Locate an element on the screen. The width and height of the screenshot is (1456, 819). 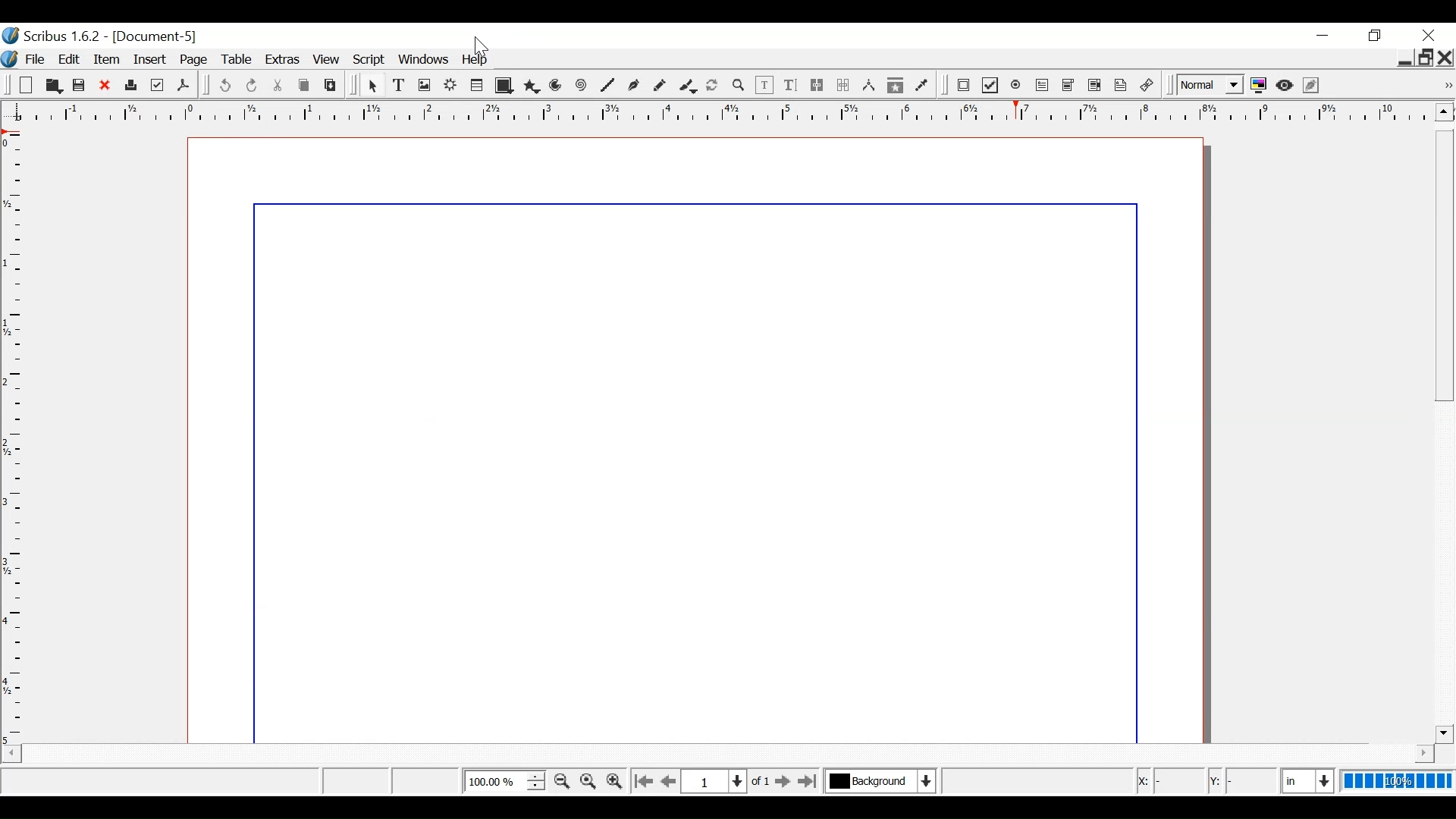
Page is located at coordinates (197, 60).